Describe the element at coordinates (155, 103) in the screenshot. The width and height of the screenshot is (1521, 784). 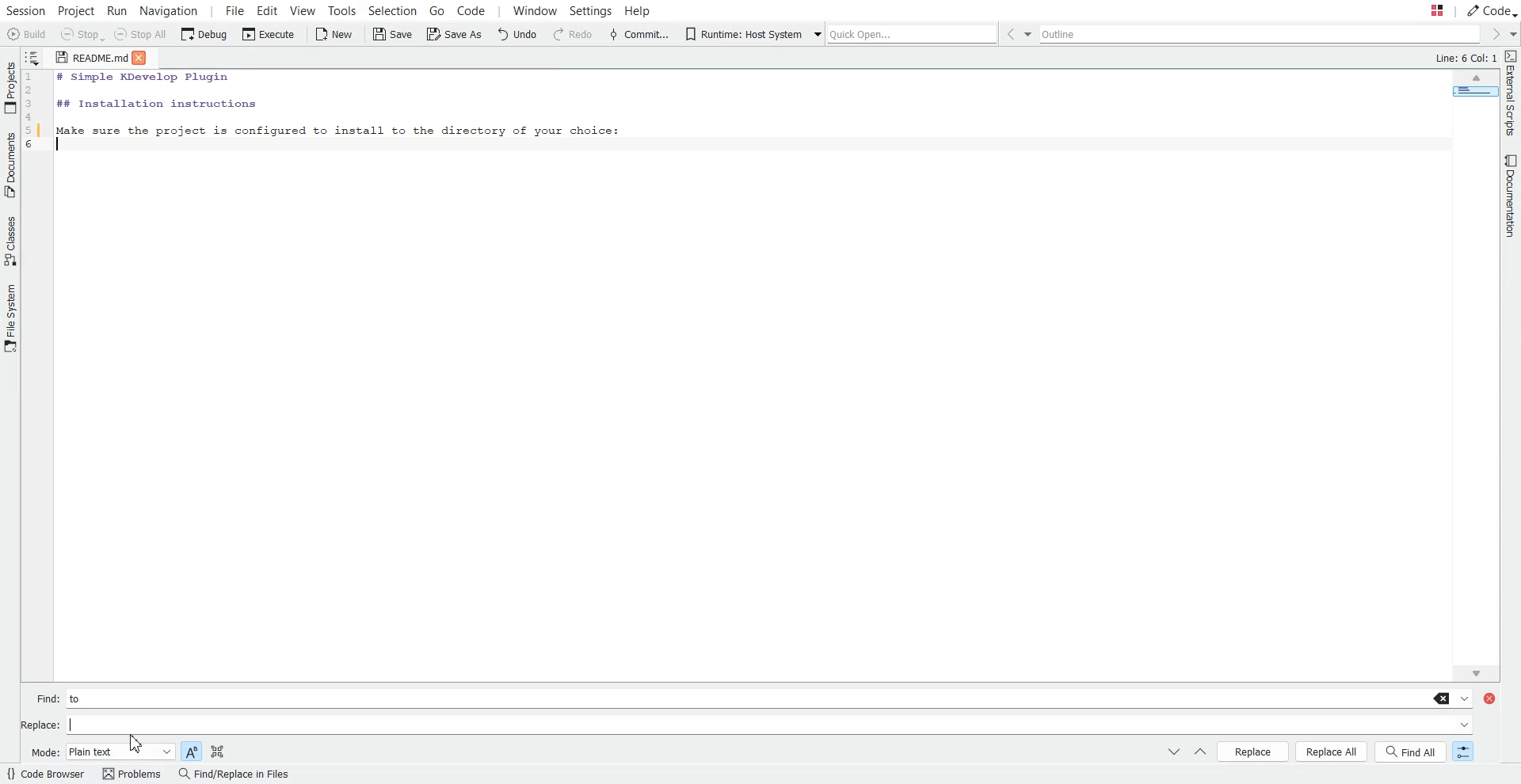
I see `## Installation instructions` at that location.